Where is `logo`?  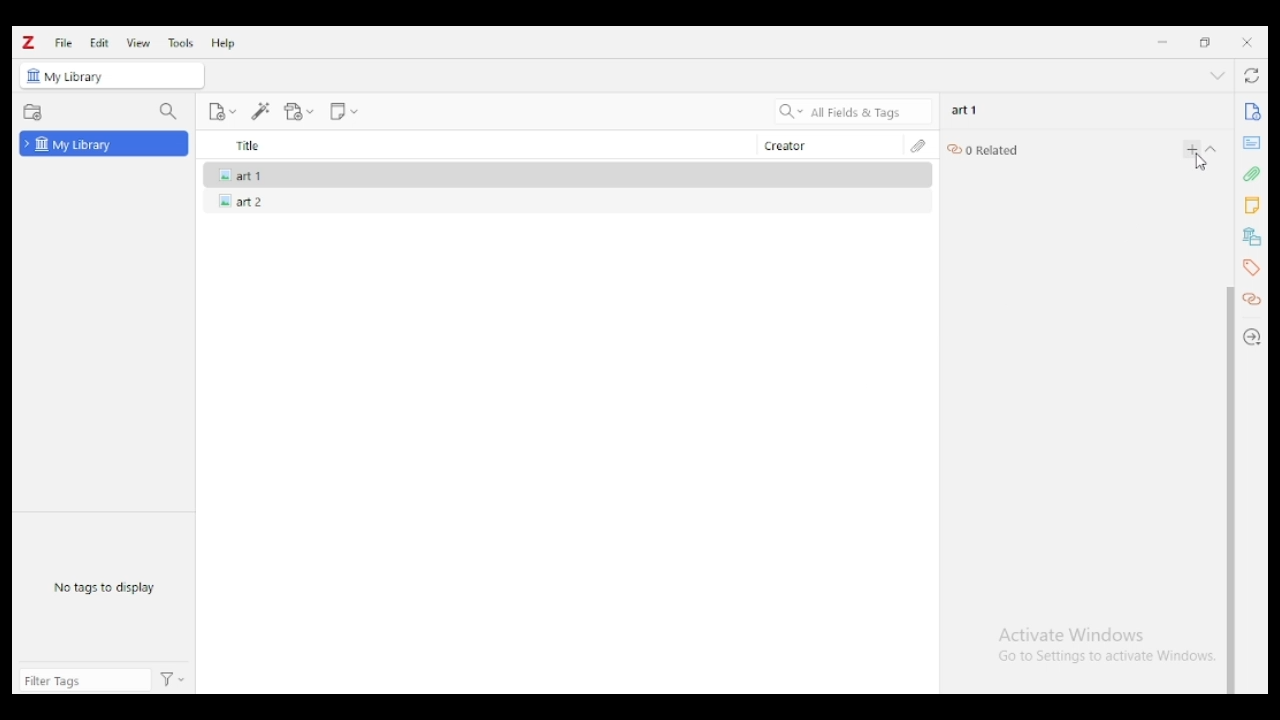
logo is located at coordinates (29, 43).